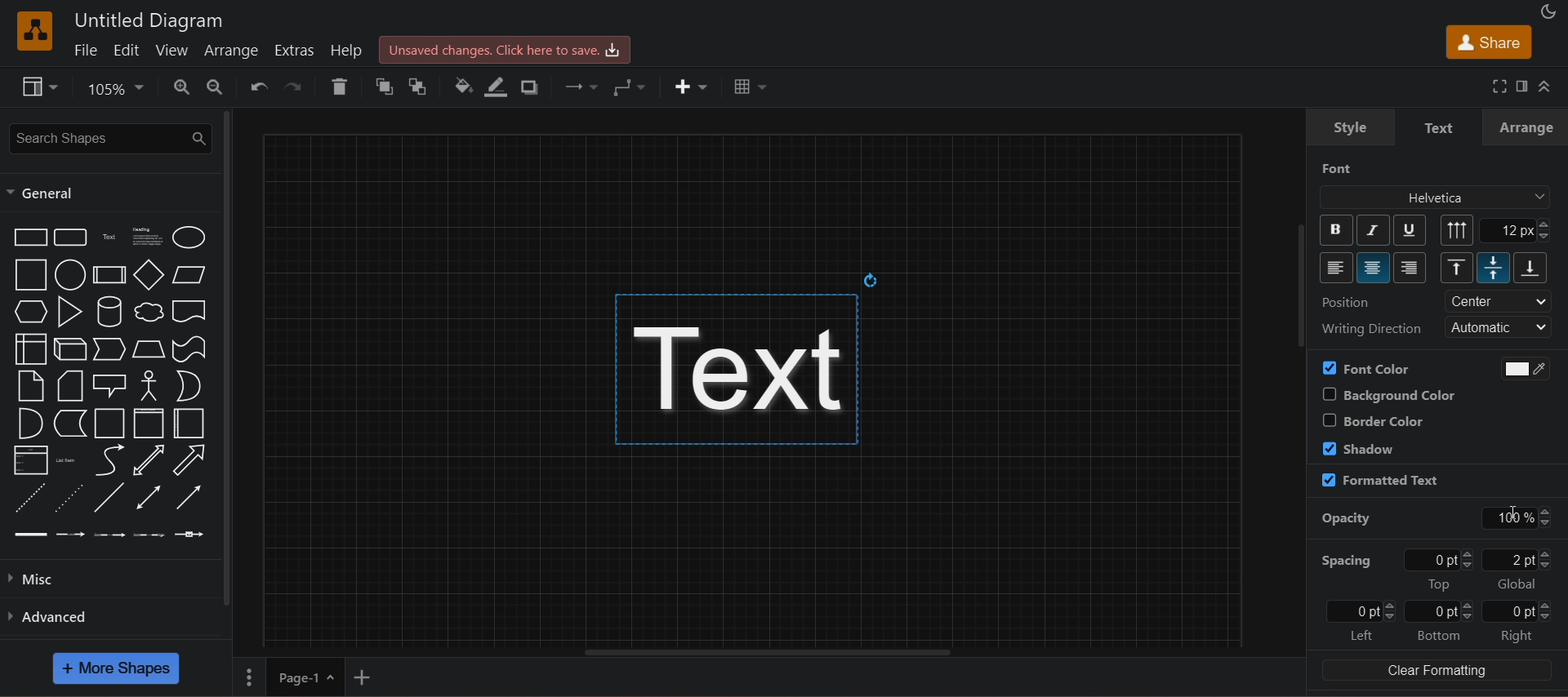 This screenshot has width=1568, height=697. I want to click on connection, so click(578, 84).